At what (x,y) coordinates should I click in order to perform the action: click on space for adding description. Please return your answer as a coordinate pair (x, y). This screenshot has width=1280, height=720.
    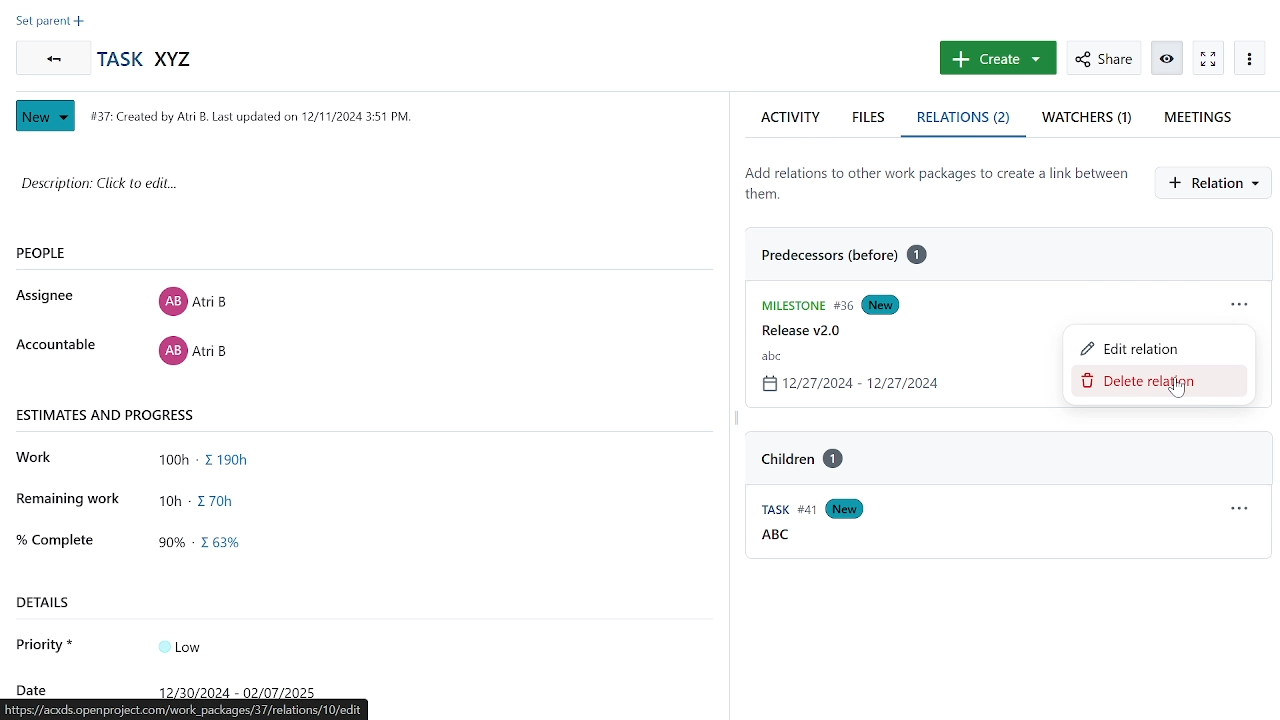
    Looking at the image, I should click on (337, 194).